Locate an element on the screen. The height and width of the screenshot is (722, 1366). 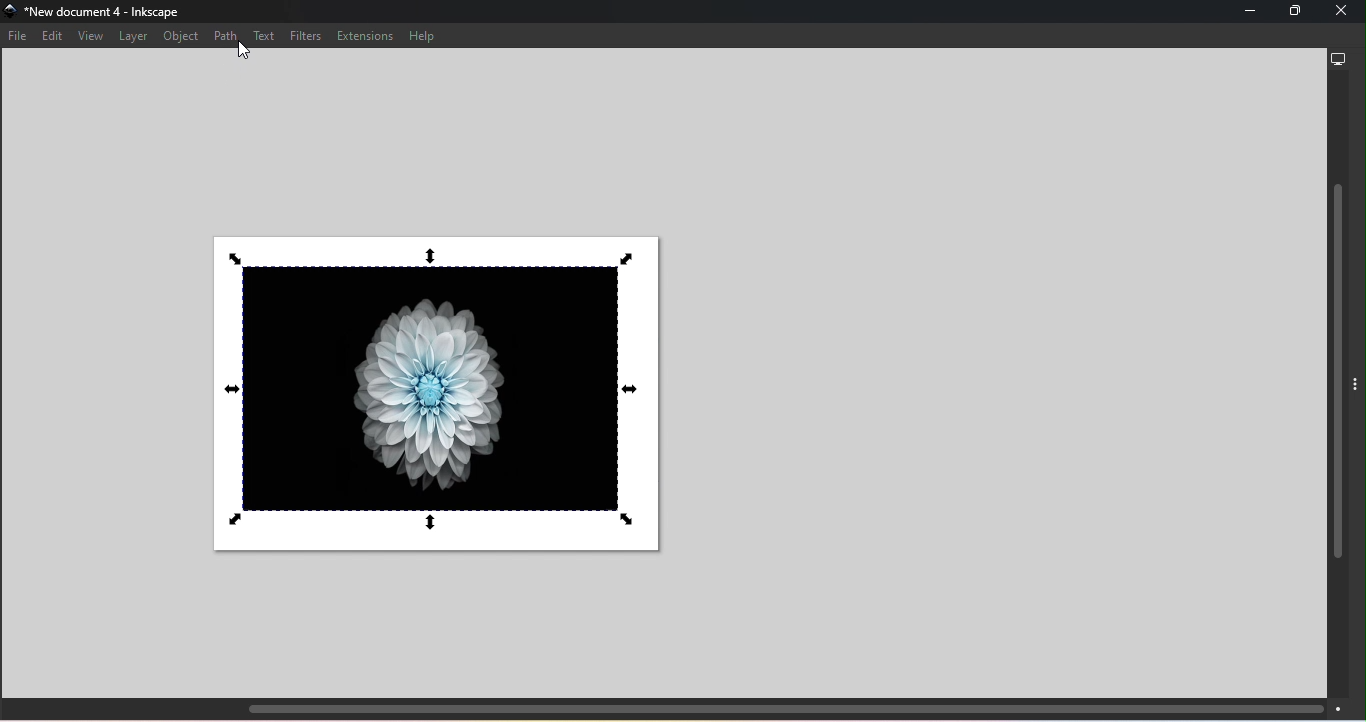
Extensions is located at coordinates (367, 36).